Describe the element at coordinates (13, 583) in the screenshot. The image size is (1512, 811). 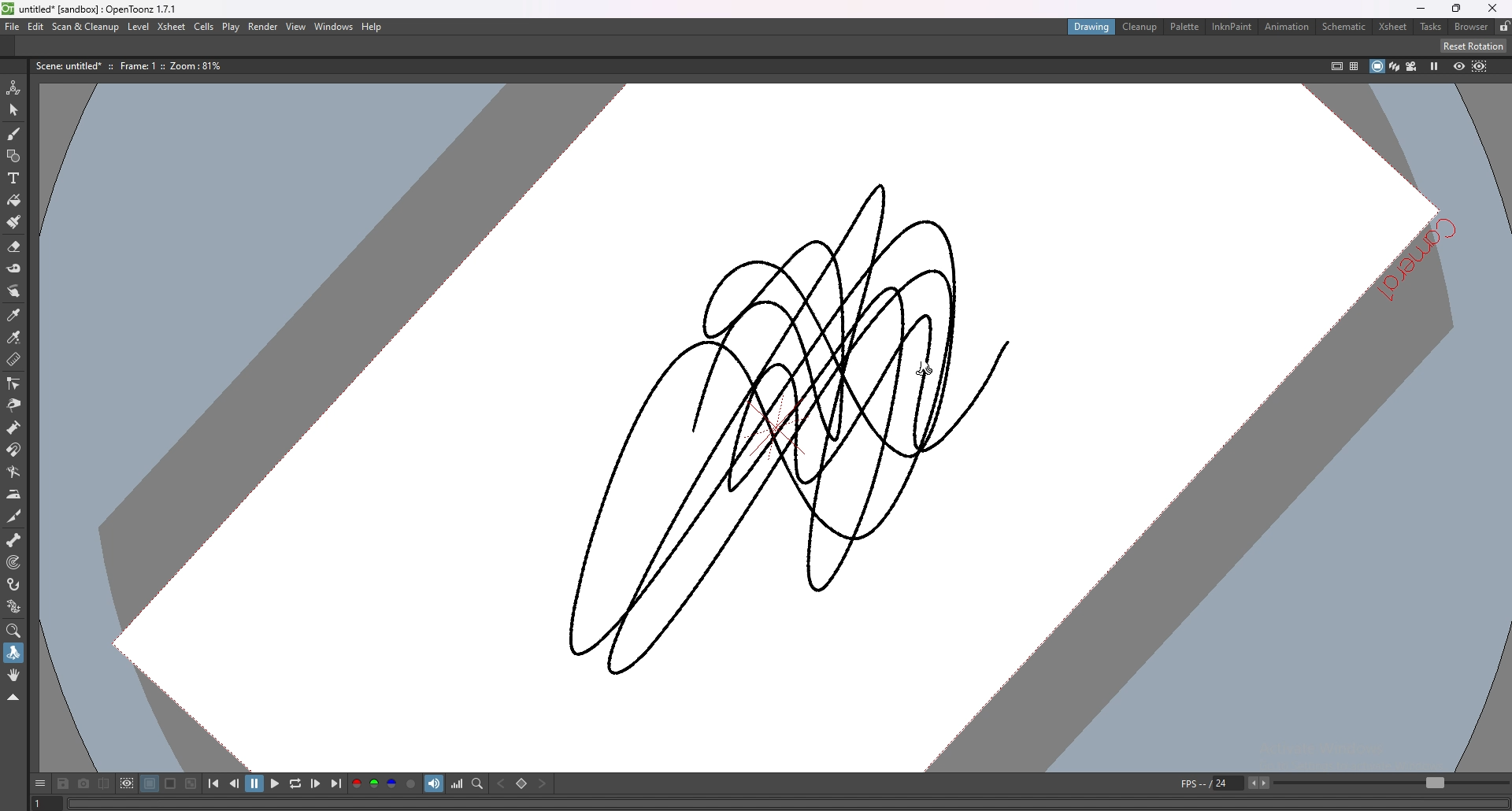
I see `hook` at that location.